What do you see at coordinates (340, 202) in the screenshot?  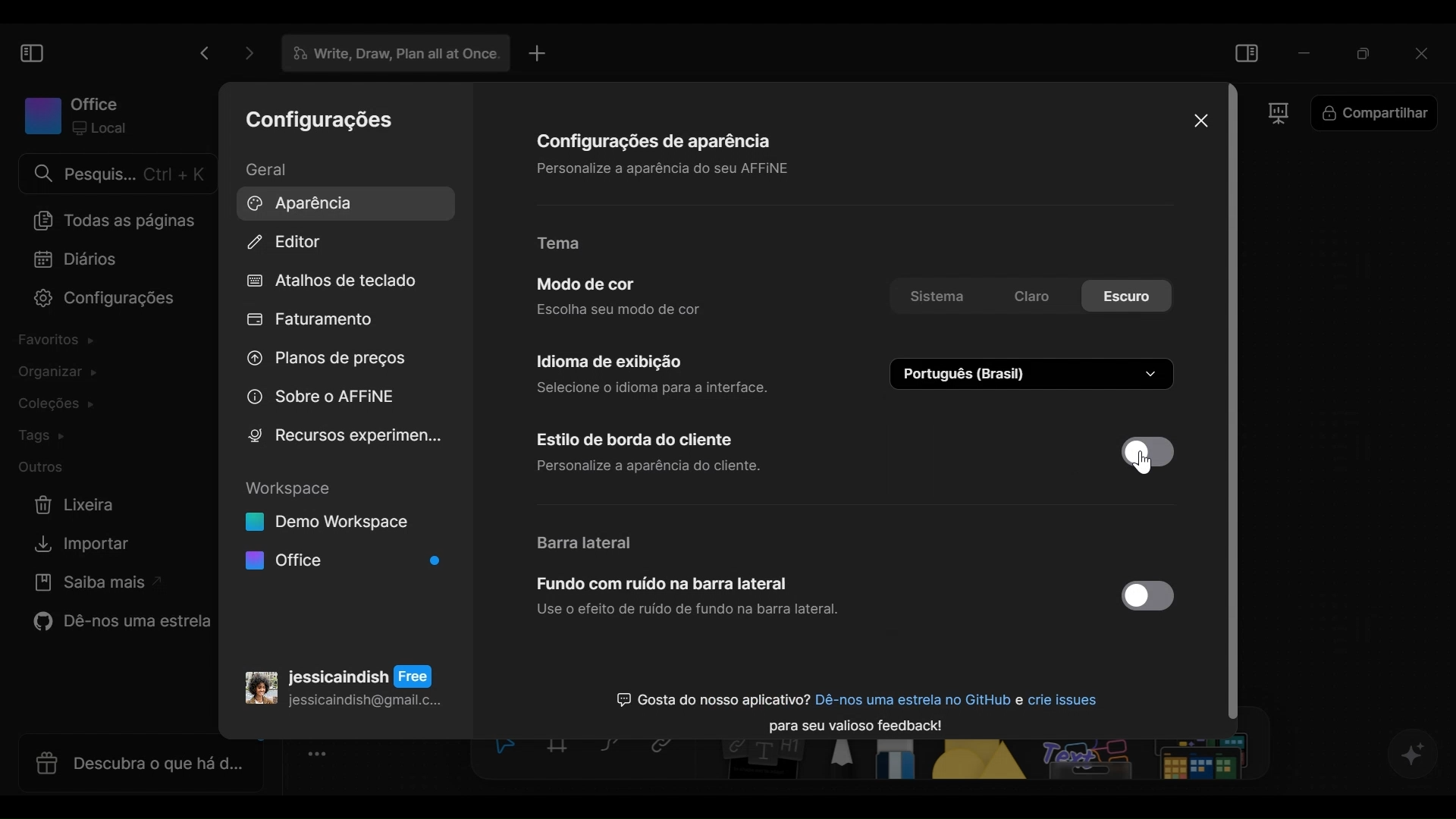 I see `Appearance` at bounding box center [340, 202].